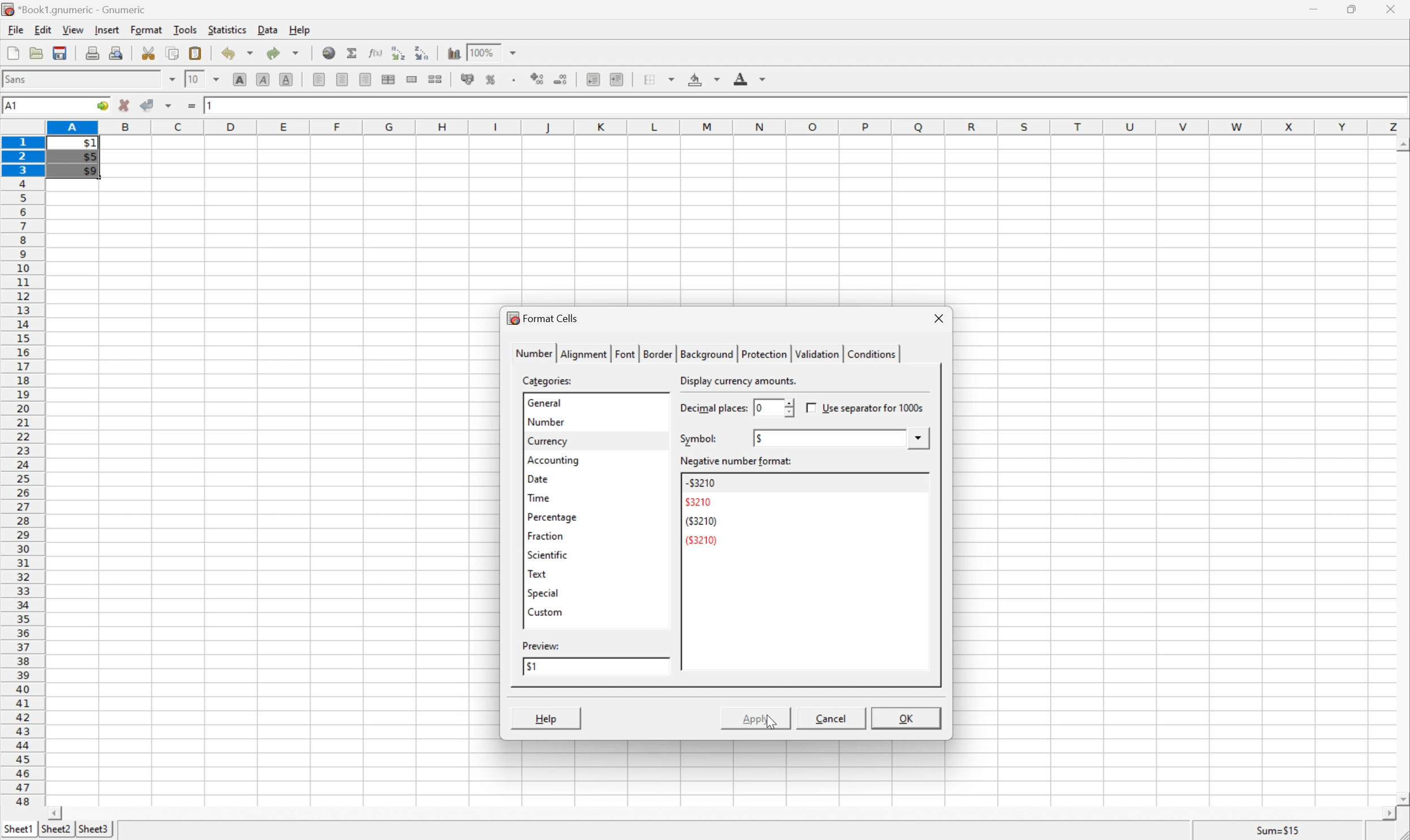 The height and width of the screenshot is (840, 1410). What do you see at coordinates (1401, 798) in the screenshot?
I see `scroll down` at bounding box center [1401, 798].